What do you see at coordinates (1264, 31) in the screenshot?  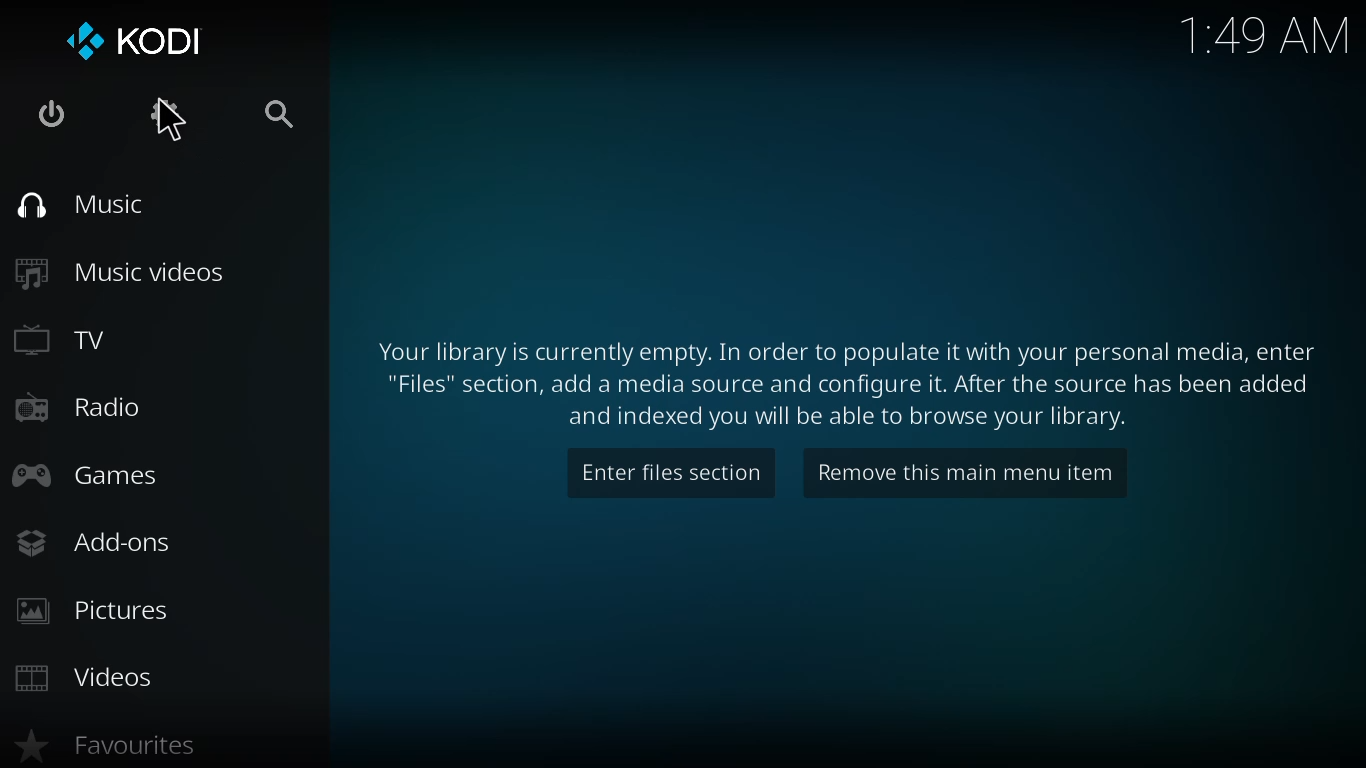 I see `time` at bounding box center [1264, 31].